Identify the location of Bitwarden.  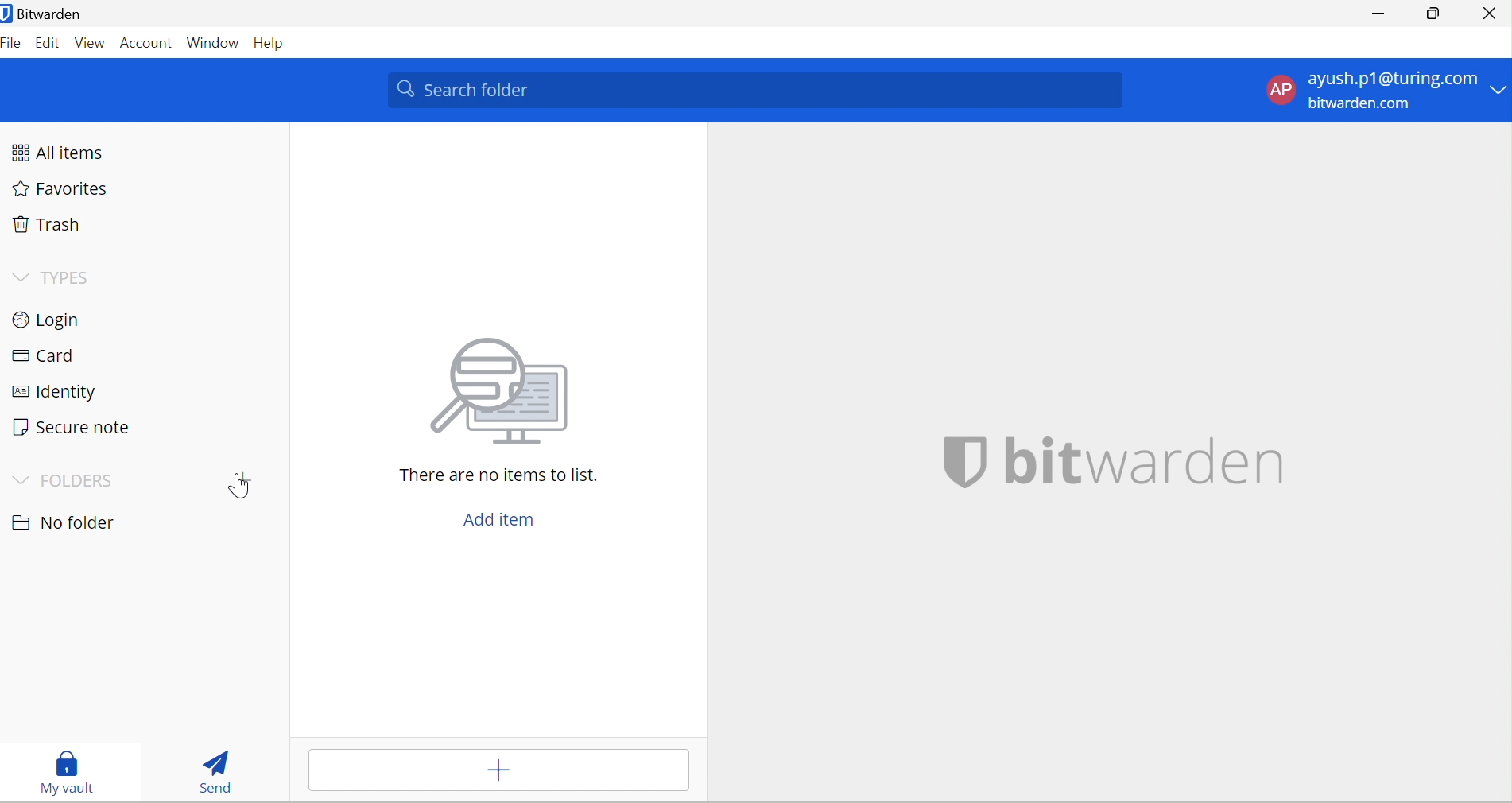
(45, 17).